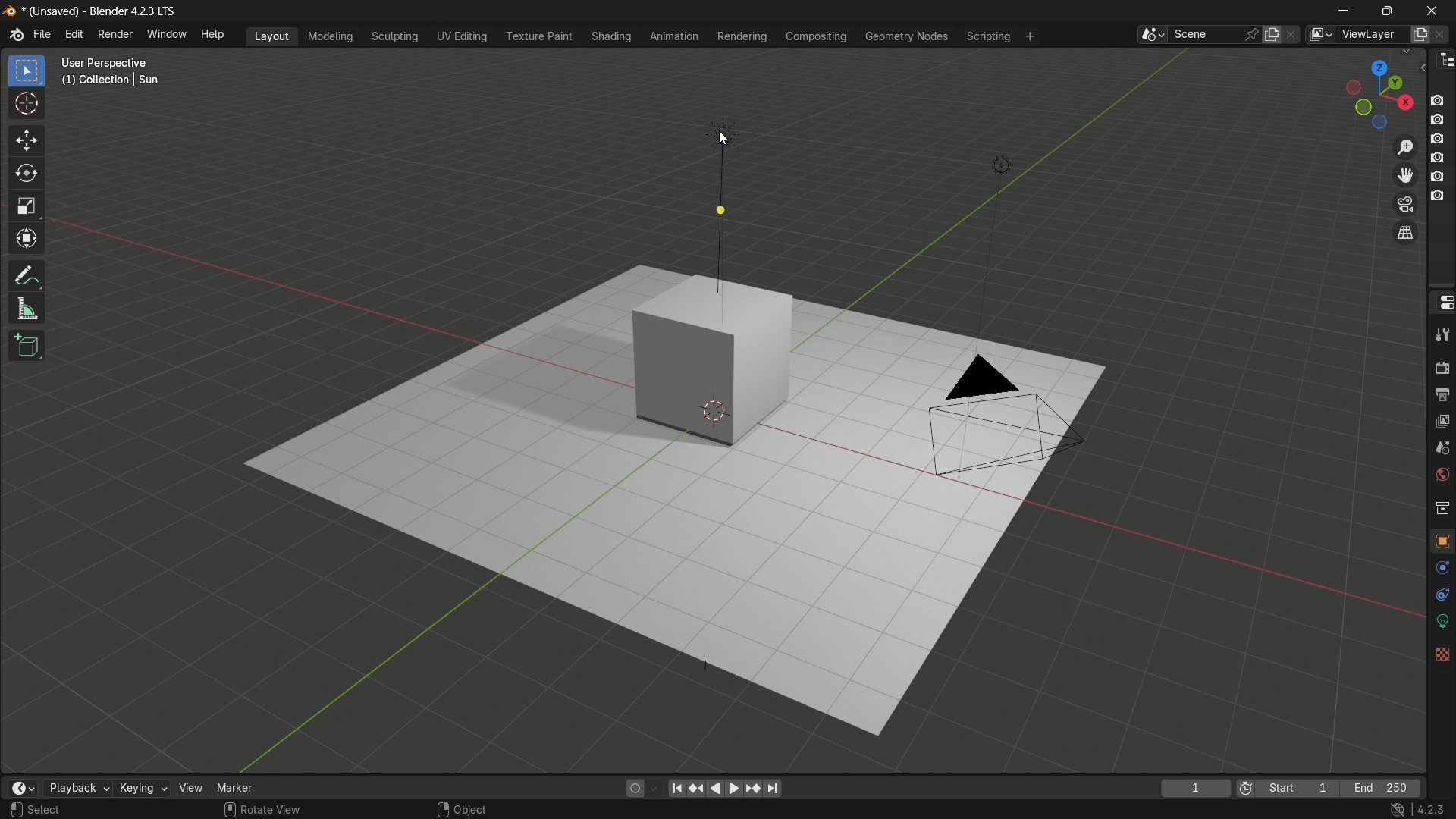  I want to click on minimize, so click(1343, 9).